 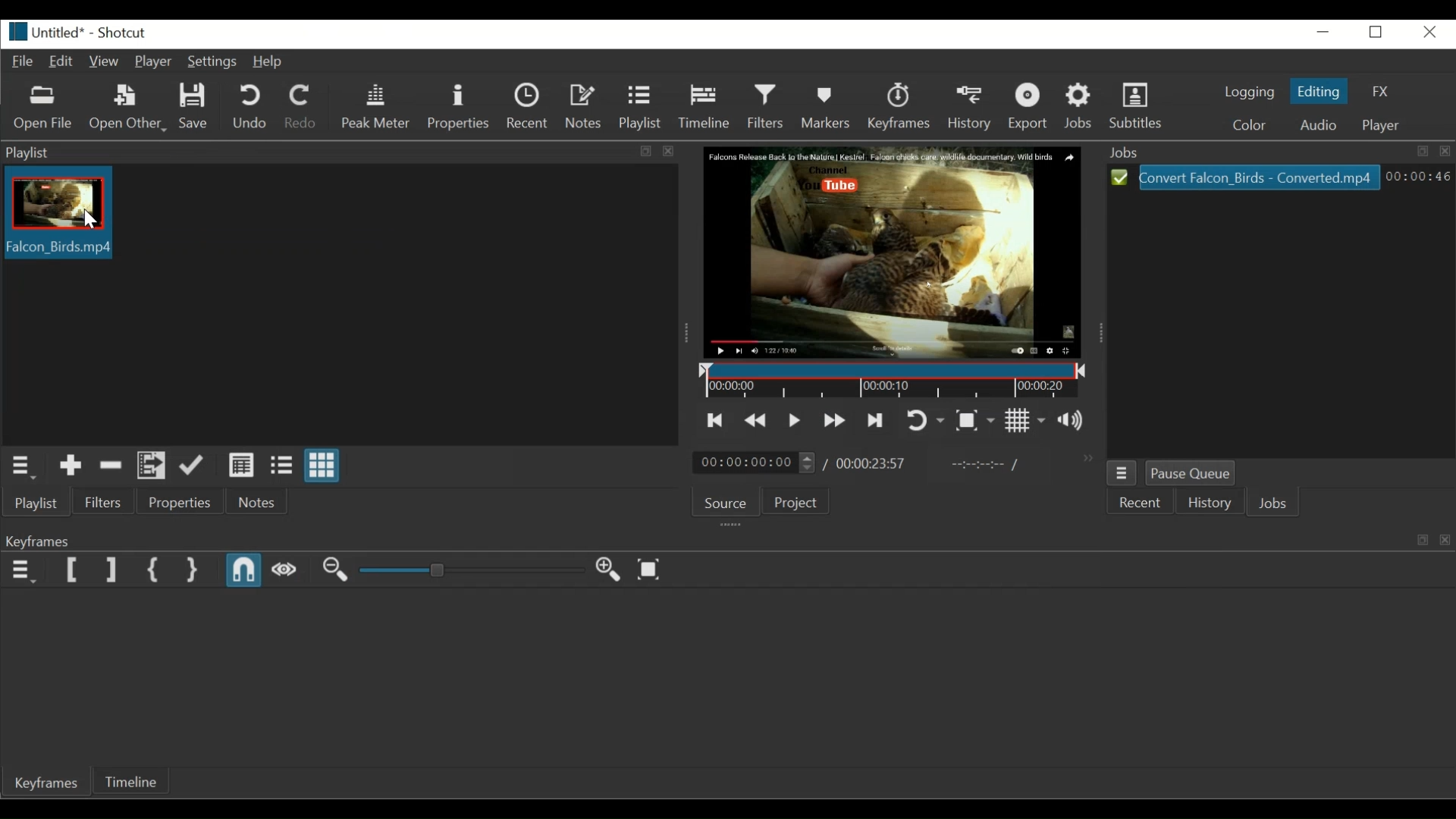 I want to click on Skip to the next point, so click(x=875, y=421).